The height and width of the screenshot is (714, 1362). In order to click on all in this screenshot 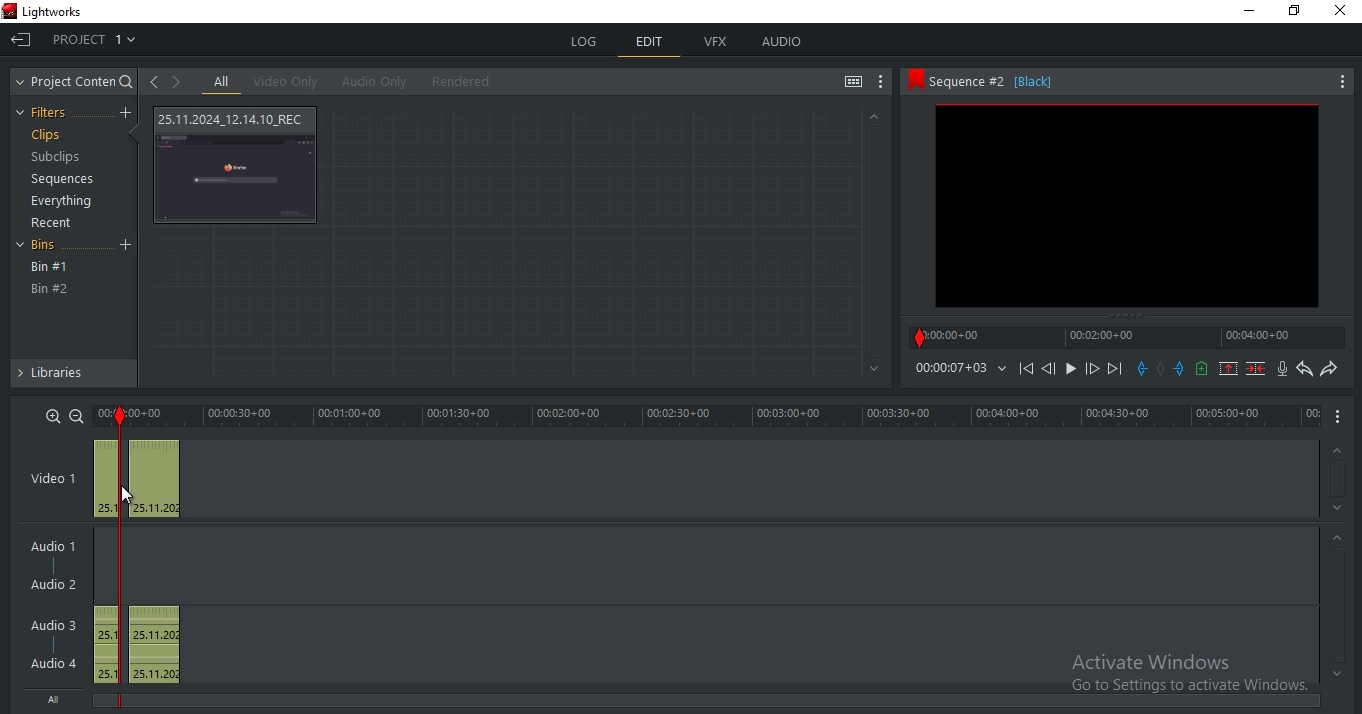, I will do `click(222, 82)`.